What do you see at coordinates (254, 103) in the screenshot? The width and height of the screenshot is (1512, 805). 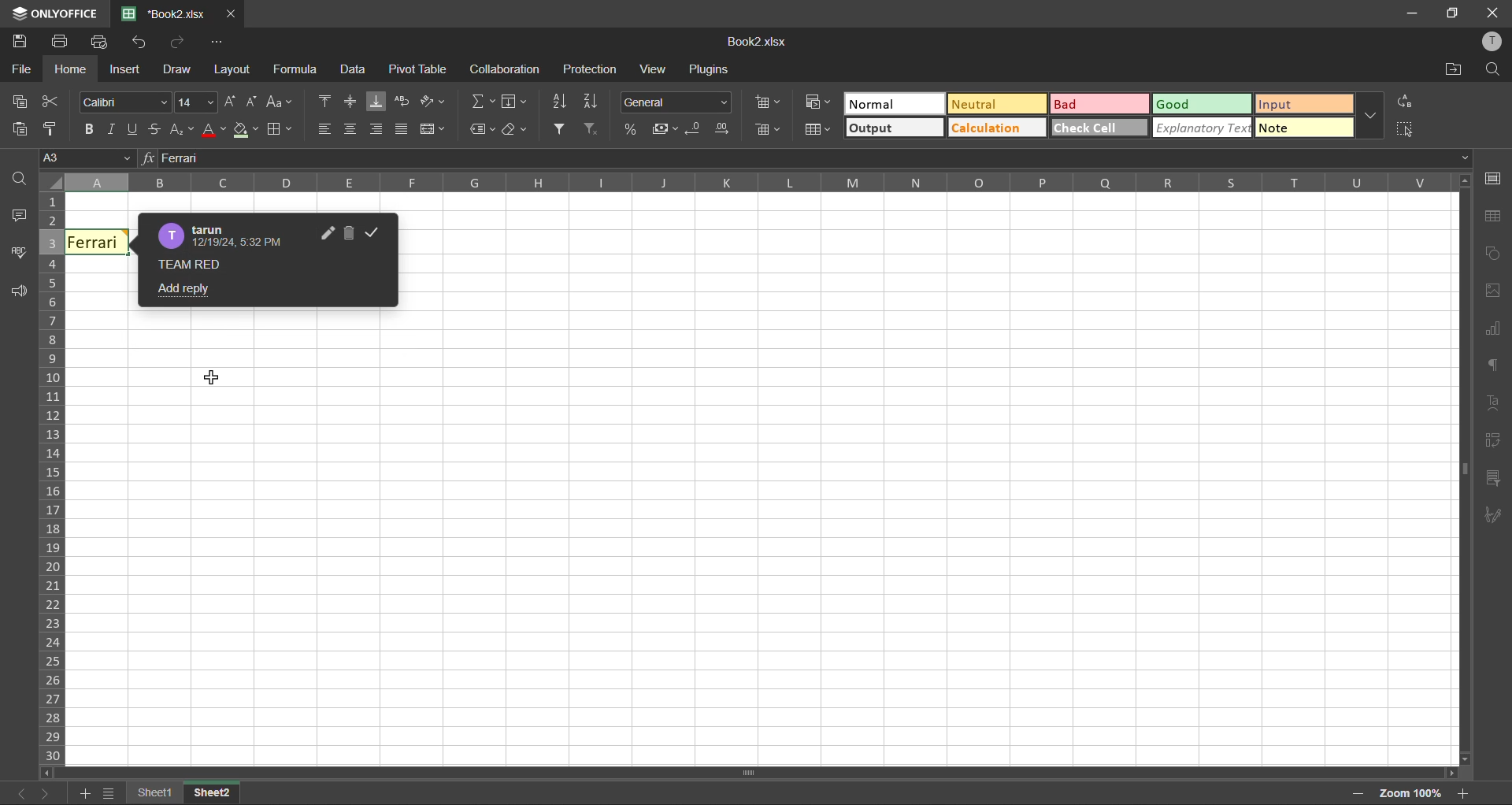 I see `decrement size` at bounding box center [254, 103].